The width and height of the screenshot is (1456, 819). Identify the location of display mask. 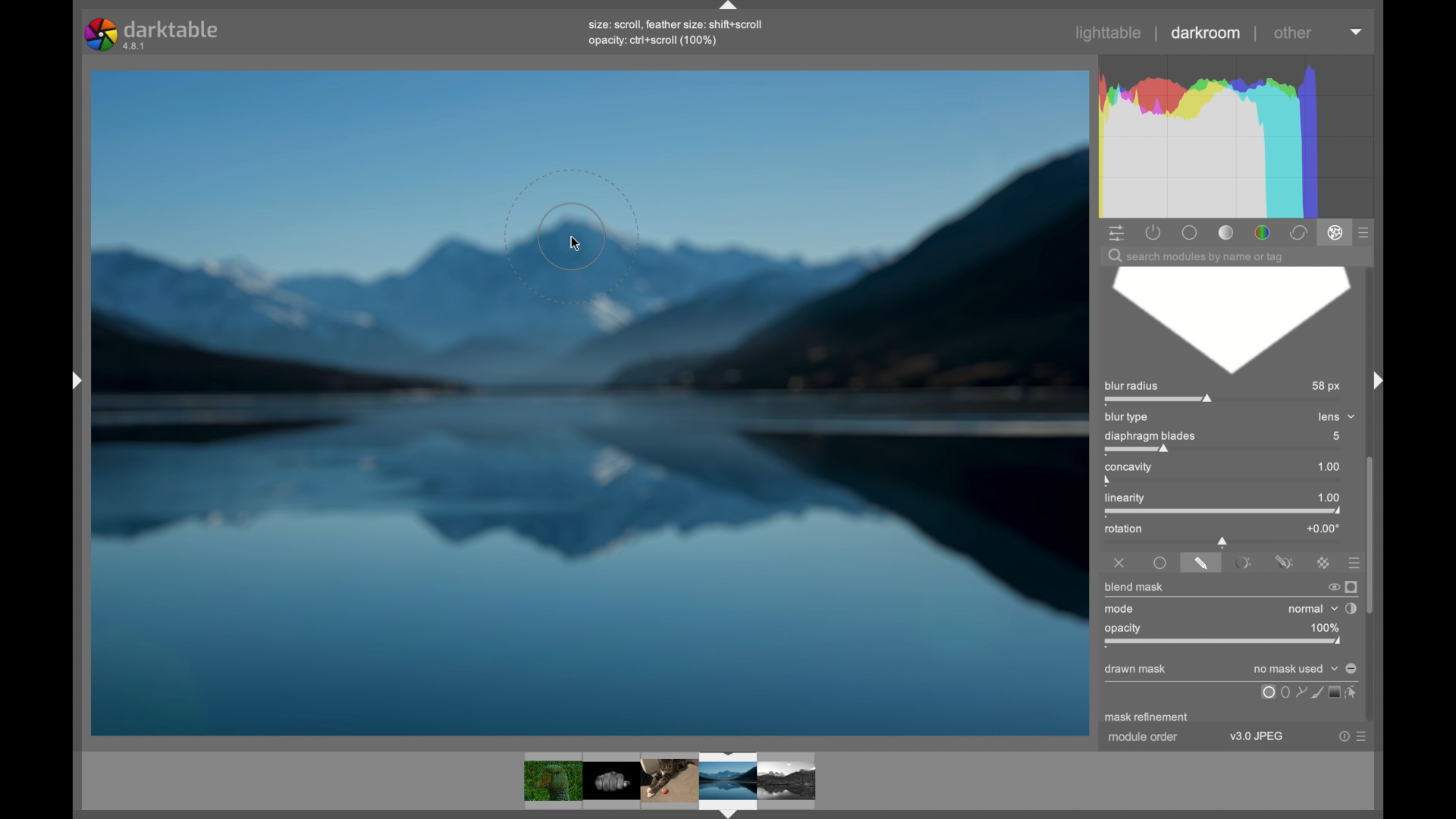
(1352, 586).